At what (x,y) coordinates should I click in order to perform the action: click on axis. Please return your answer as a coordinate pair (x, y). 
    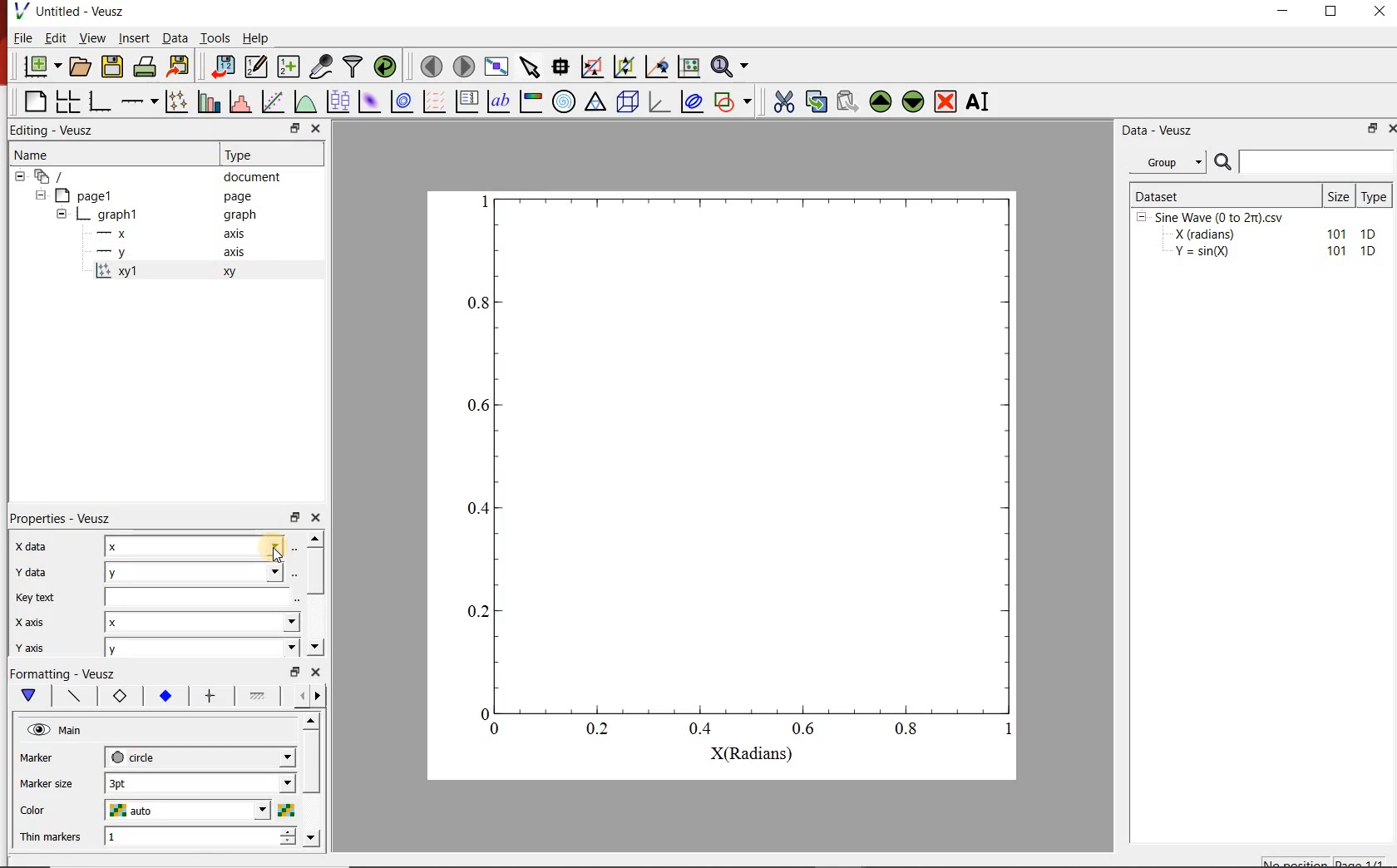
    Looking at the image, I should click on (235, 233).